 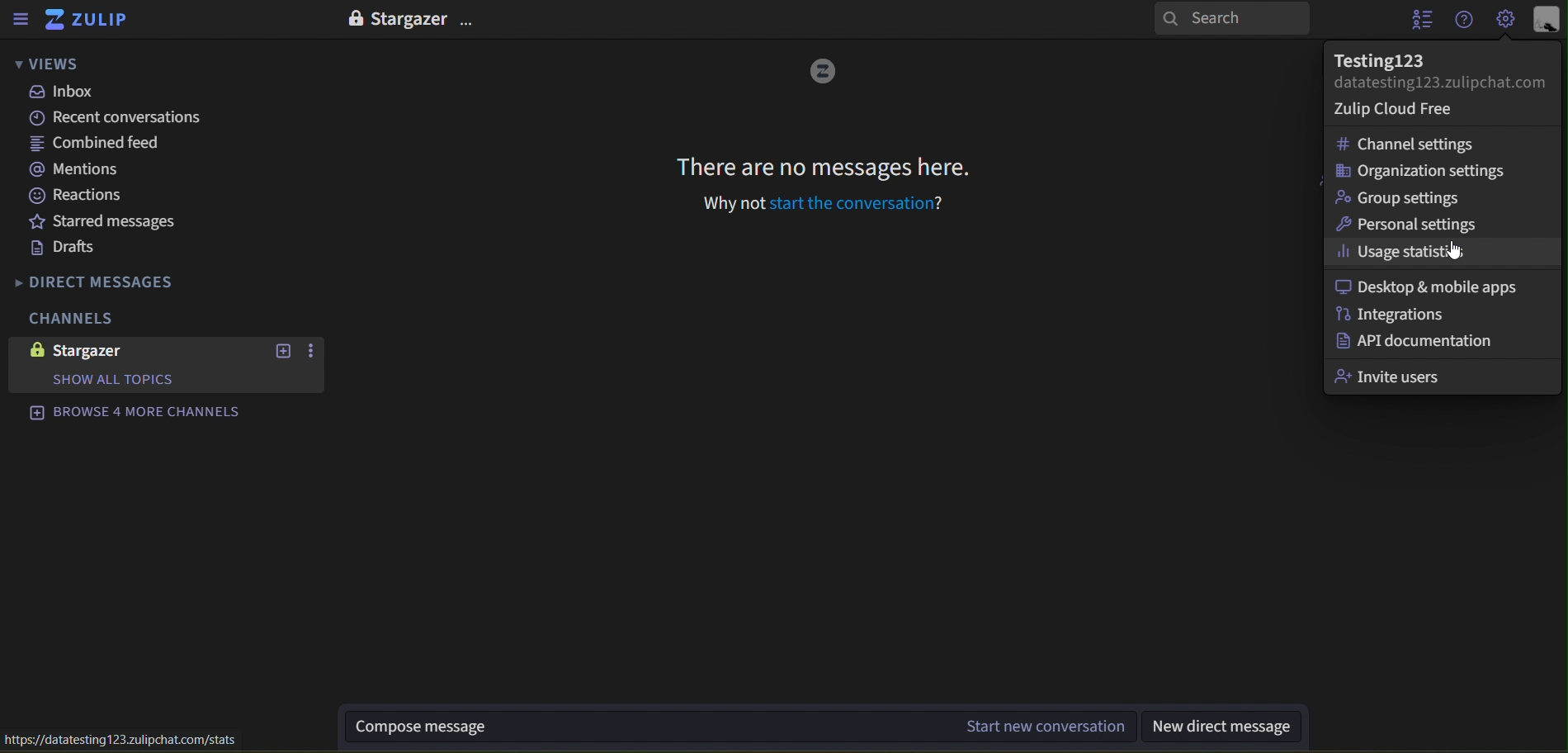 What do you see at coordinates (1465, 19) in the screenshot?
I see `get help` at bounding box center [1465, 19].